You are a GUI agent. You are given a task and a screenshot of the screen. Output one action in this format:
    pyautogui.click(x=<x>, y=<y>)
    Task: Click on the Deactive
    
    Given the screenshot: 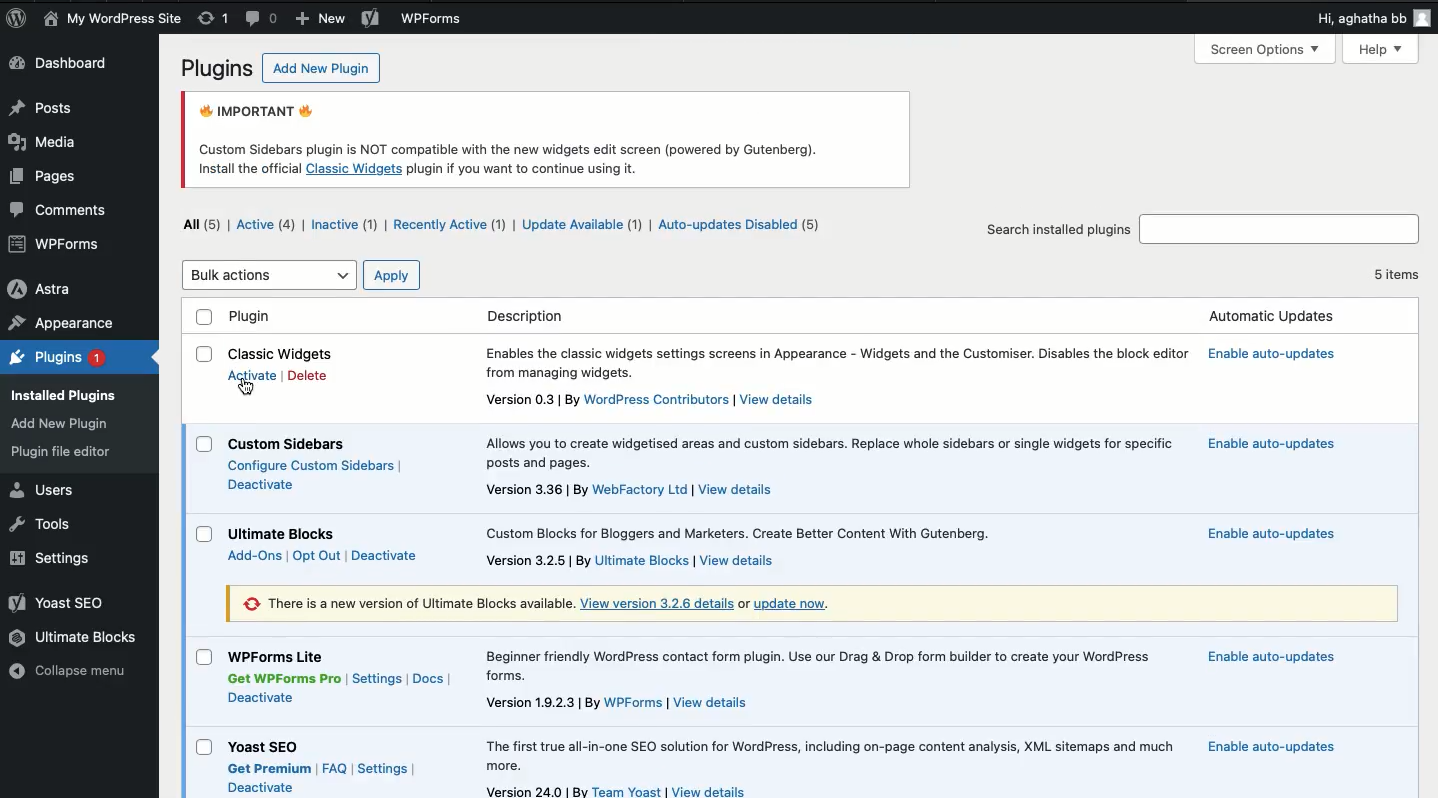 What is the action you would take?
    pyautogui.click(x=261, y=788)
    